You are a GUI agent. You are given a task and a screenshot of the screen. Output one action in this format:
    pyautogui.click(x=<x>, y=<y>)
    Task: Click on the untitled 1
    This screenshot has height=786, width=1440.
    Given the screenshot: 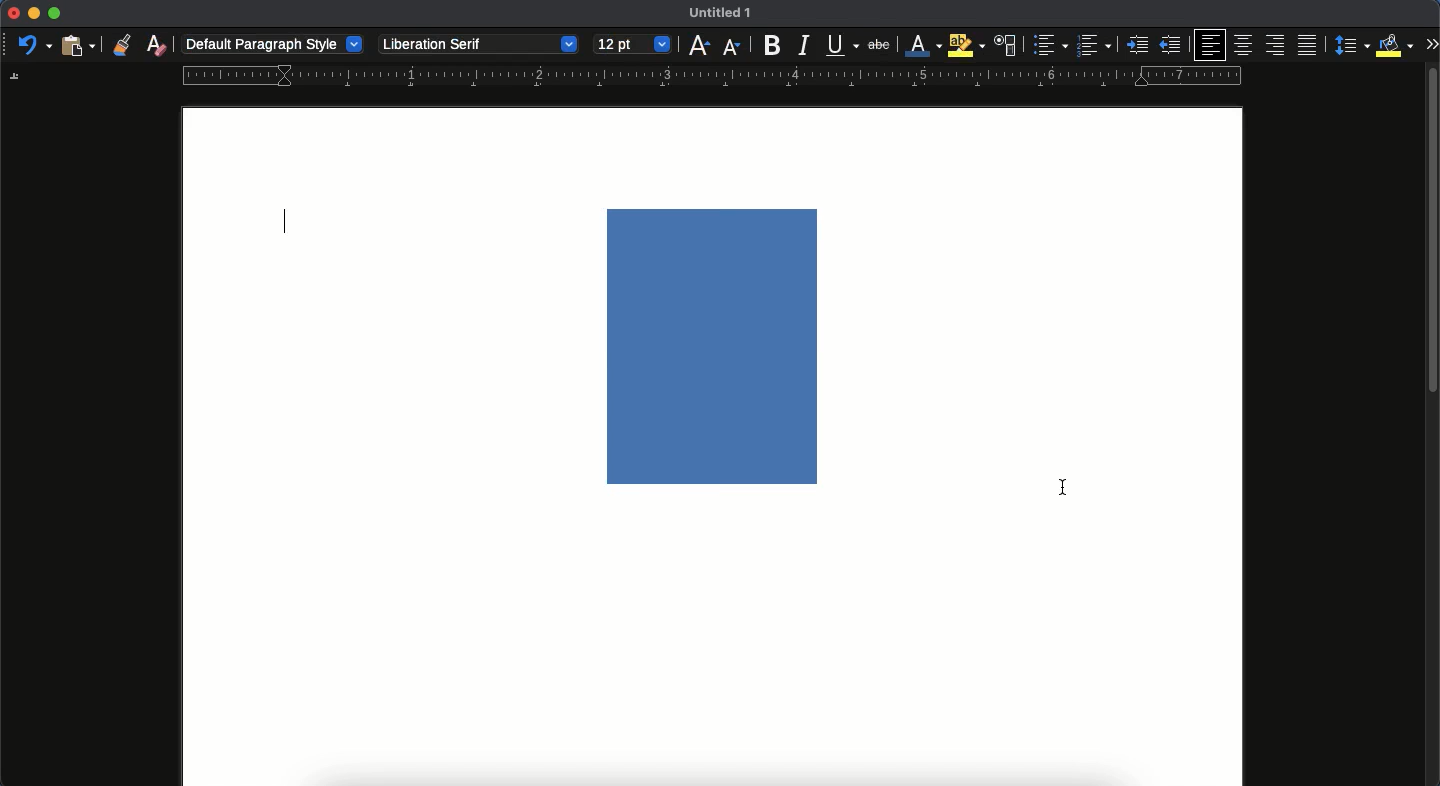 What is the action you would take?
    pyautogui.click(x=721, y=12)
    